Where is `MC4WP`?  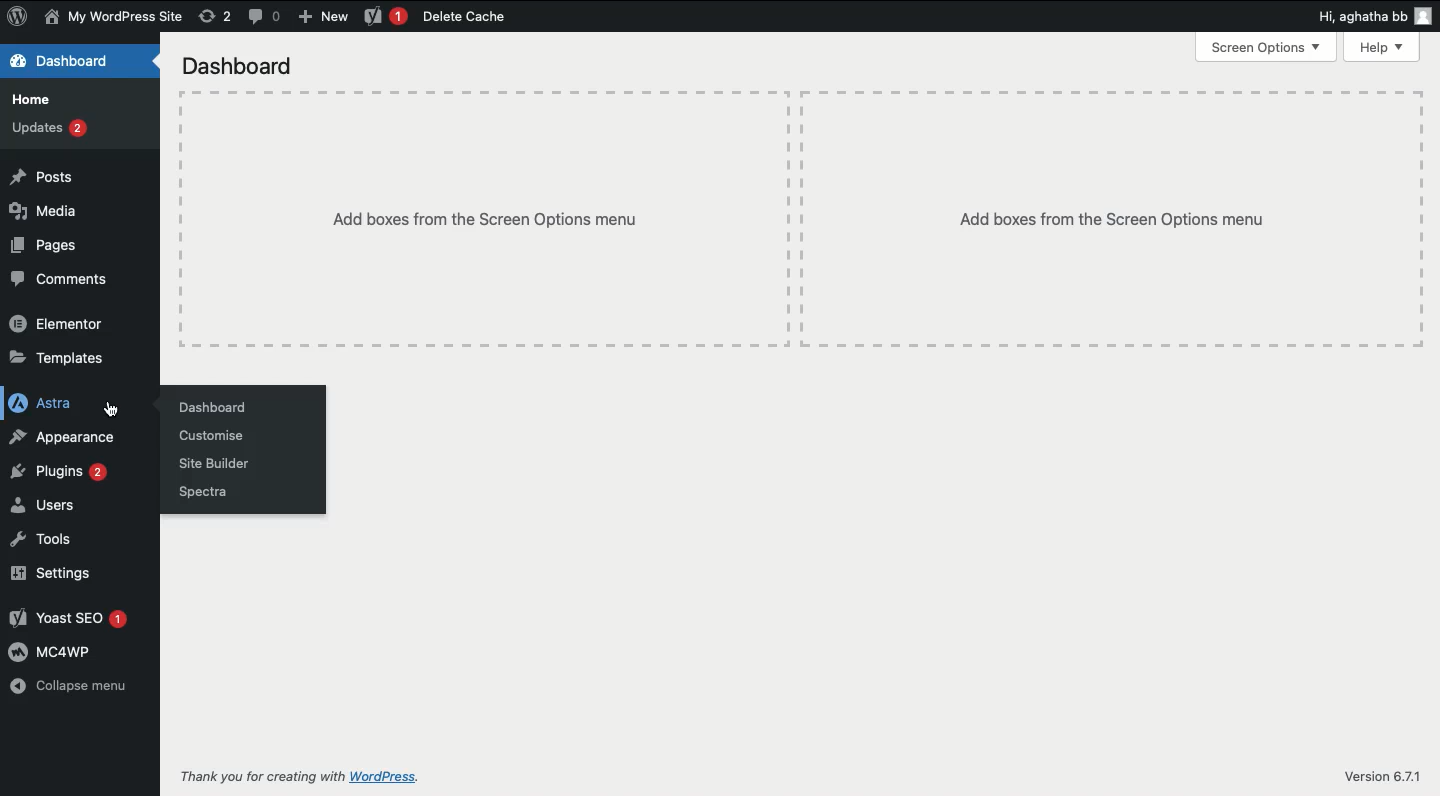 MC4WP is located at coordinates (54, 651).